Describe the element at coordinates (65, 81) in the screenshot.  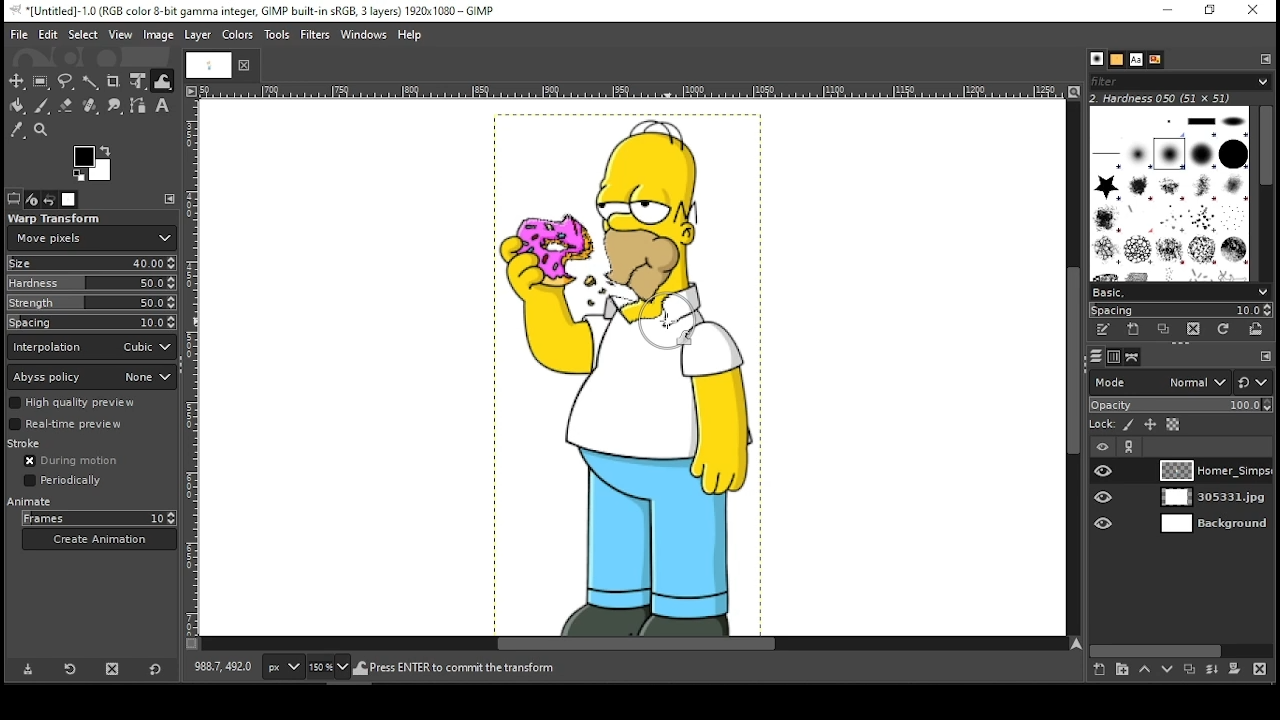
I see `freehand select tool` at that location.